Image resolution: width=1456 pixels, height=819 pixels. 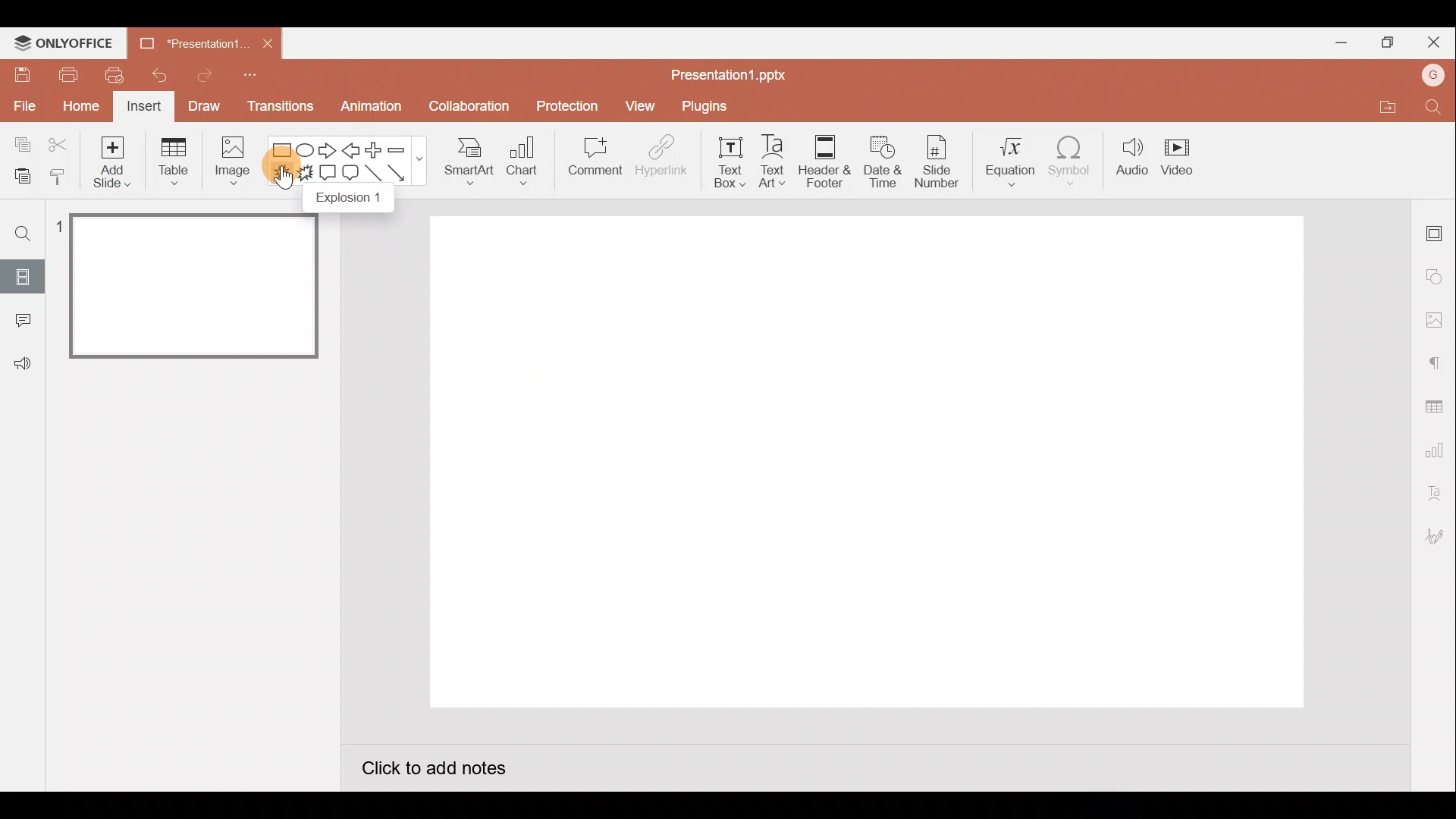 I want to click on Explosion 1, so click(x=351, y=202).